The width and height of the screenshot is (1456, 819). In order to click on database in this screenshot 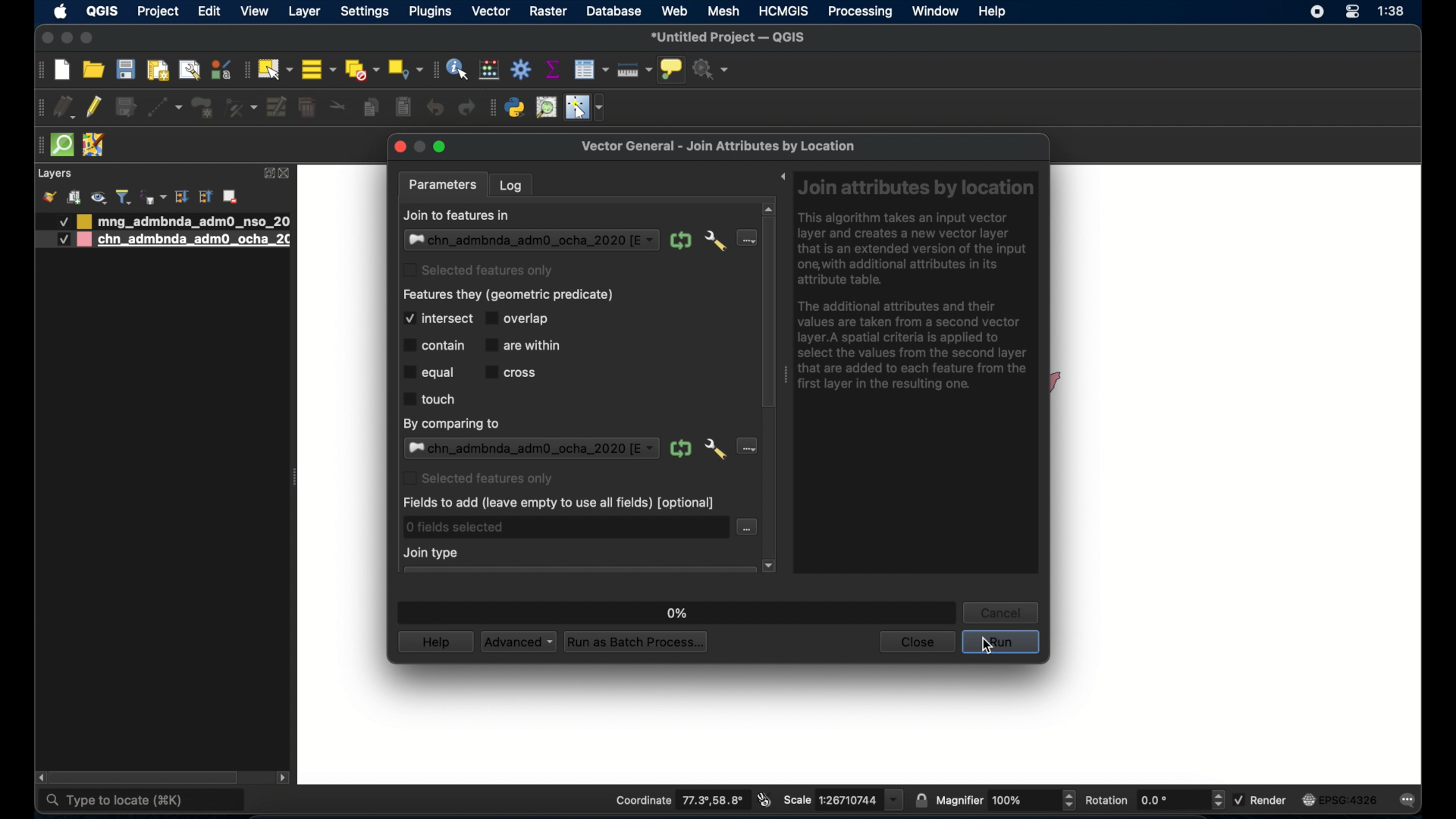, I will do `click(615, 12)`.